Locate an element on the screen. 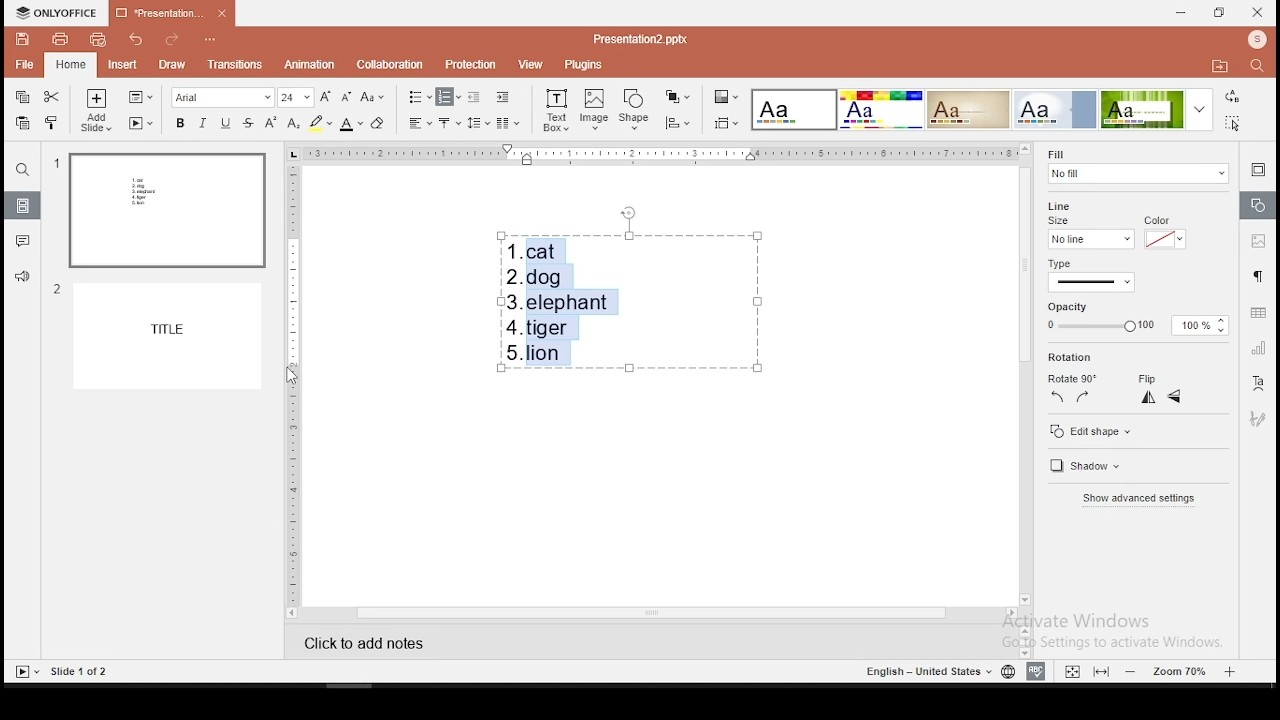 The width and height of the screenshot is (1280, 720). theme  is located at coordinates (1057, 109).